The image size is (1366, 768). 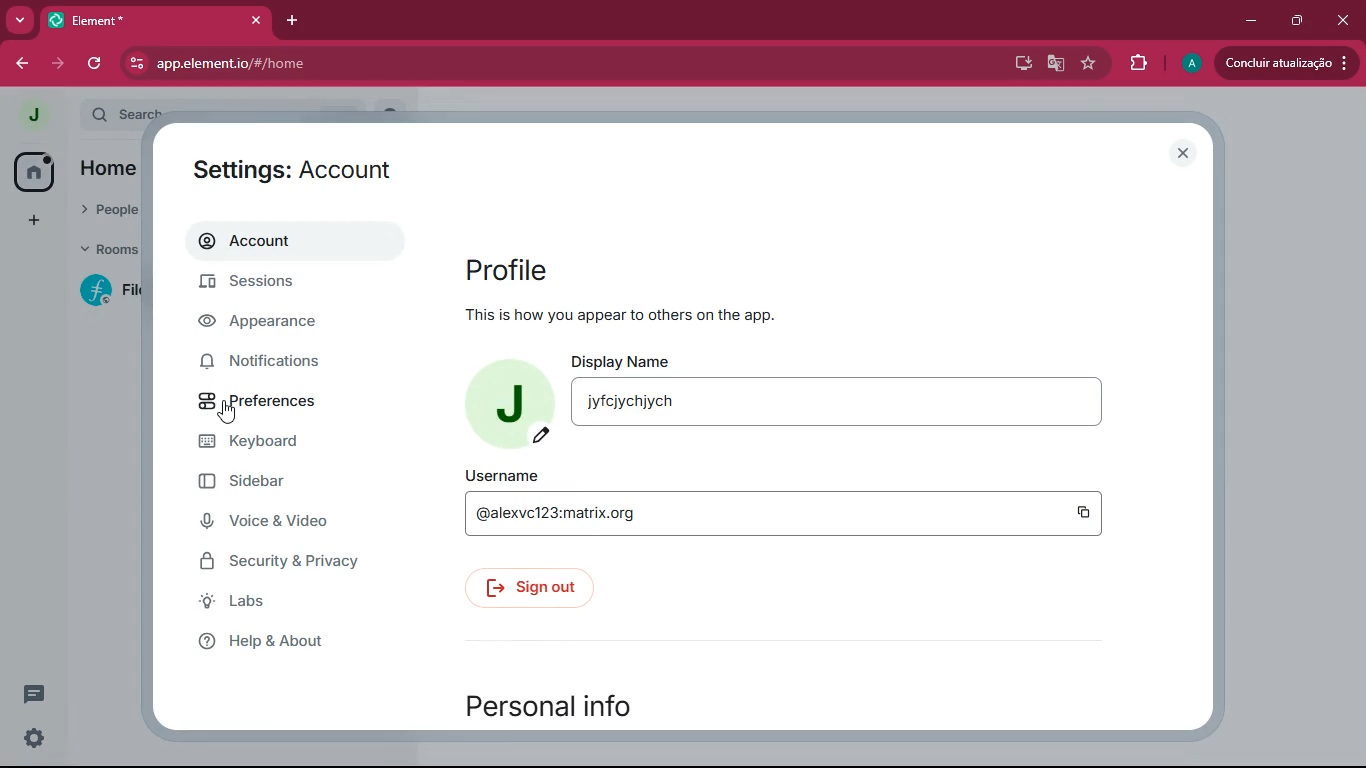 I want to click on forward, so click(x=61, y=64).